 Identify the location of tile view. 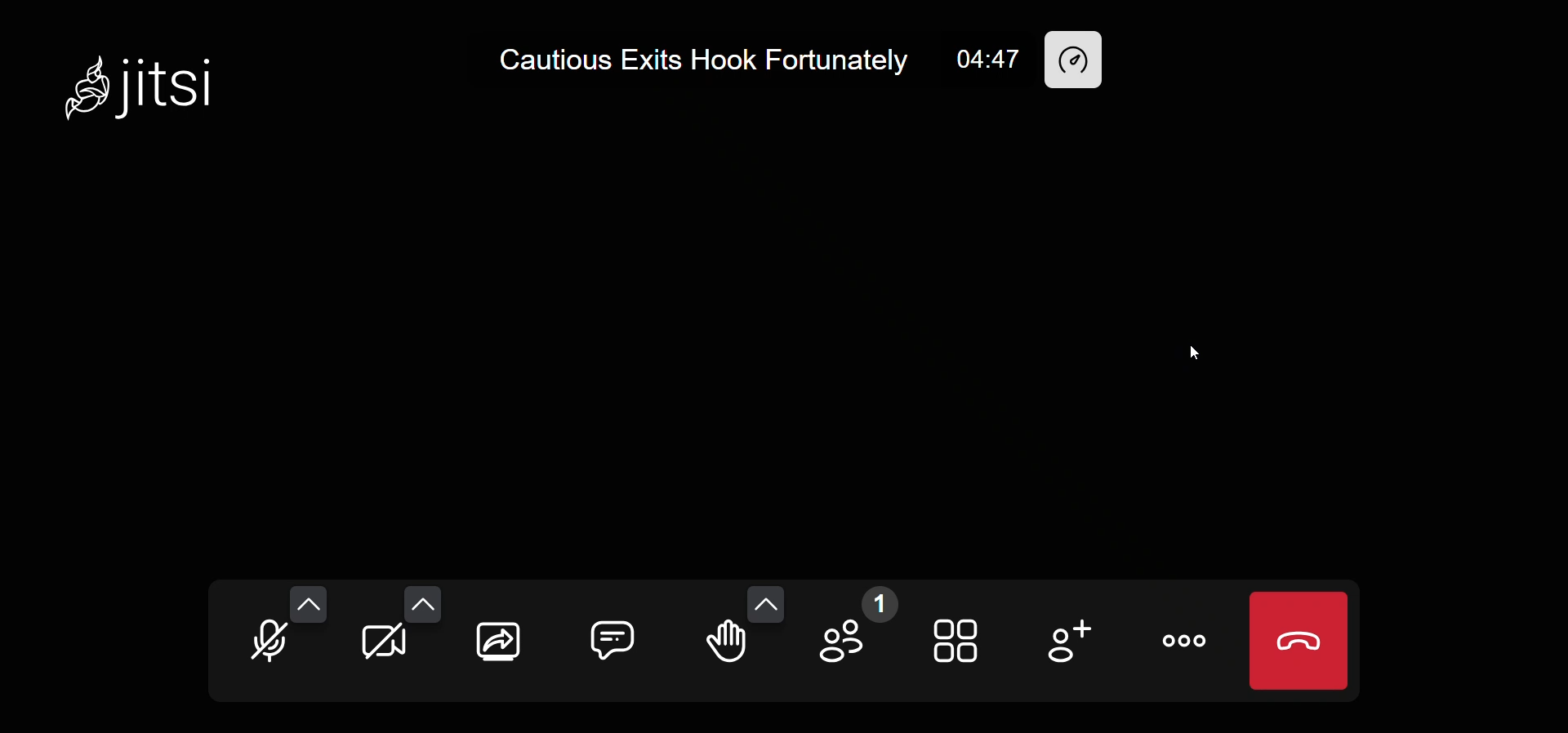
(960, 642).